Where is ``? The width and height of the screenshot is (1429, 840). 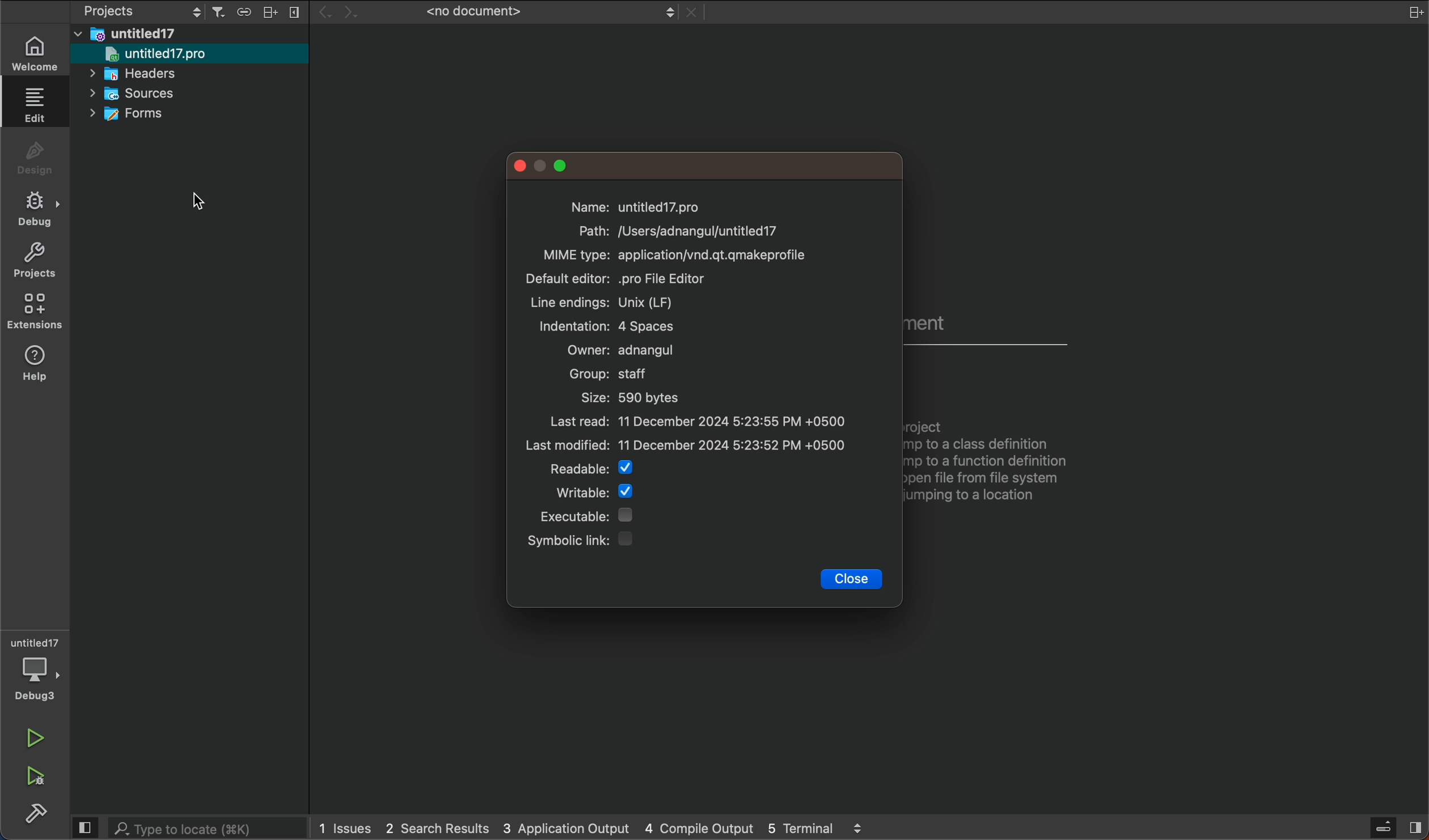  is located at coordinates (297, 12).